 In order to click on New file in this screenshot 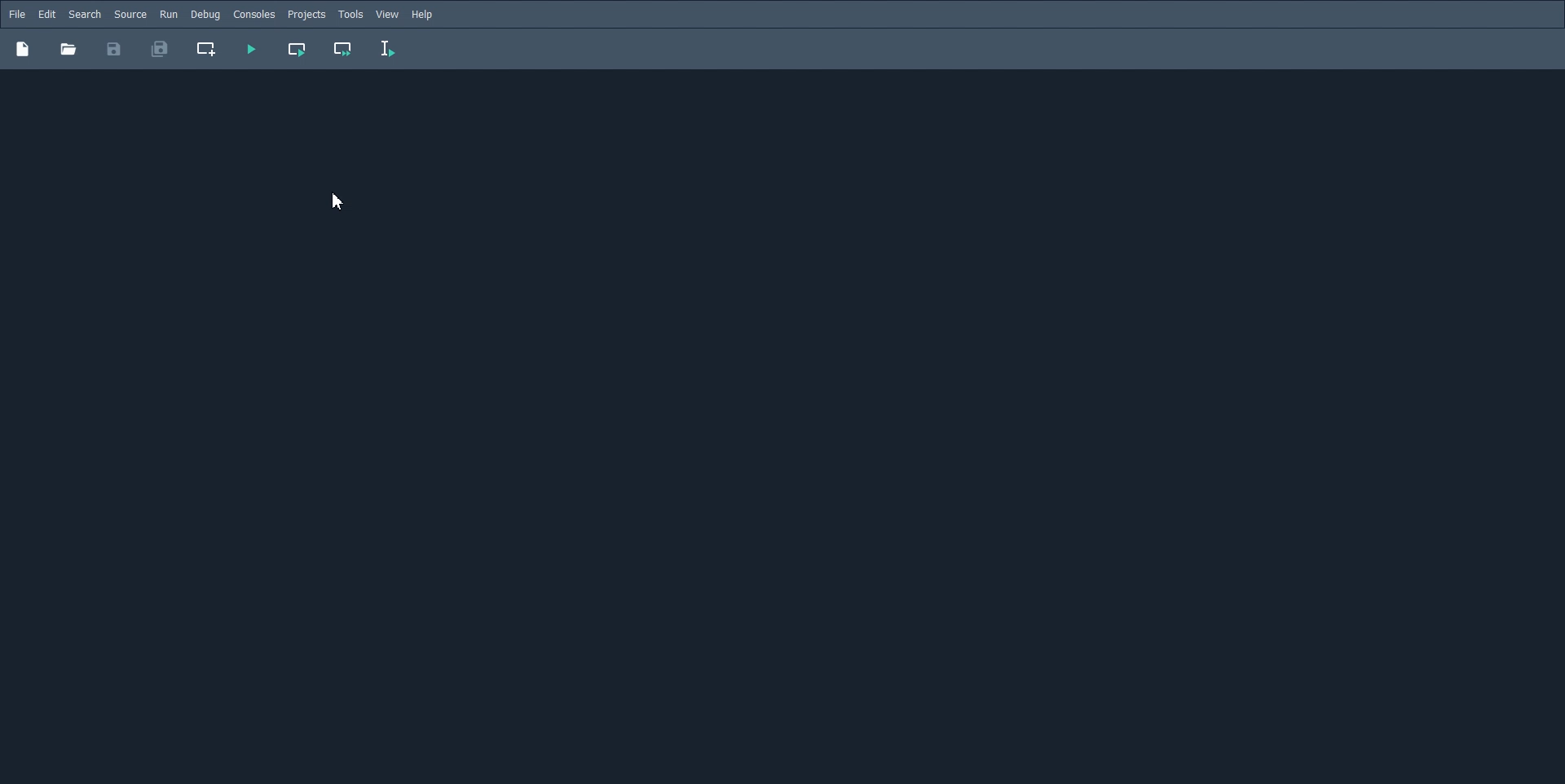, I will do `click(22, 48)`.